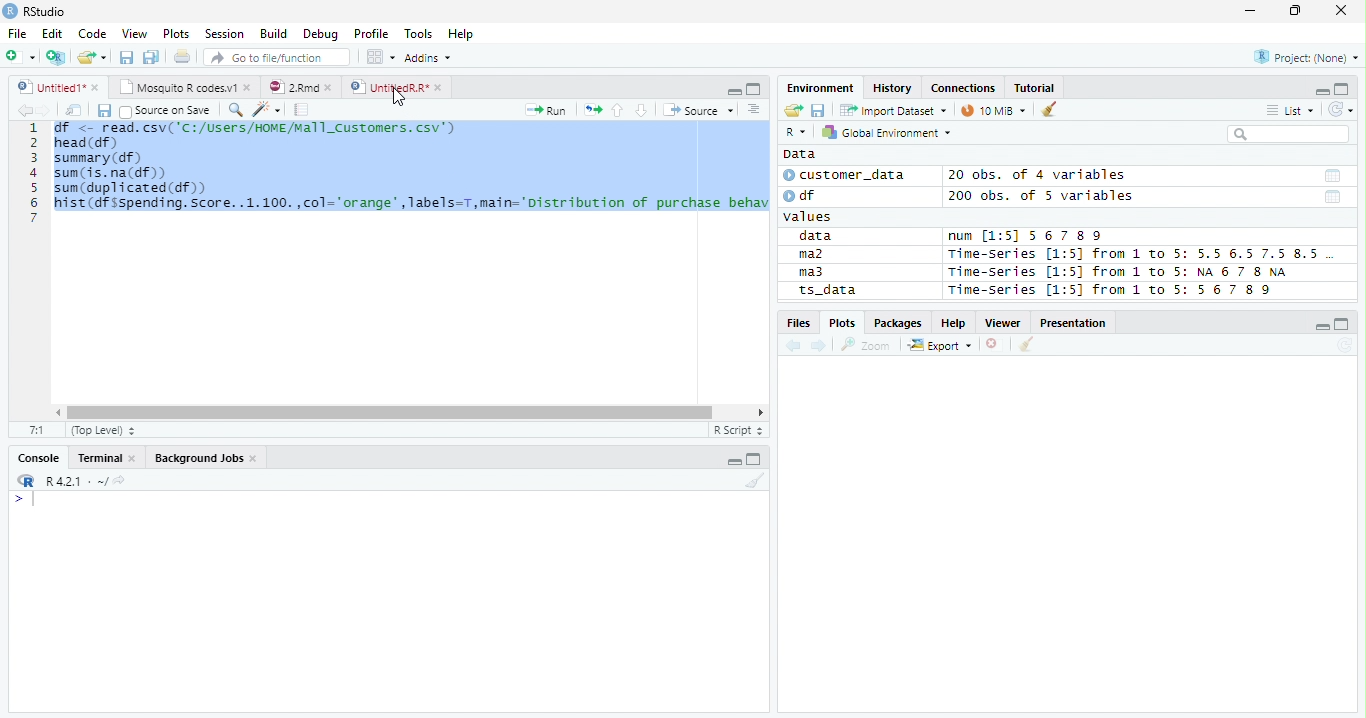 The width and height of the screenshot is (1366, 718). What do you see at coordinates (380, 57) in the screenshot?
I see `Workplace panes` at bounding box center [380, 57].